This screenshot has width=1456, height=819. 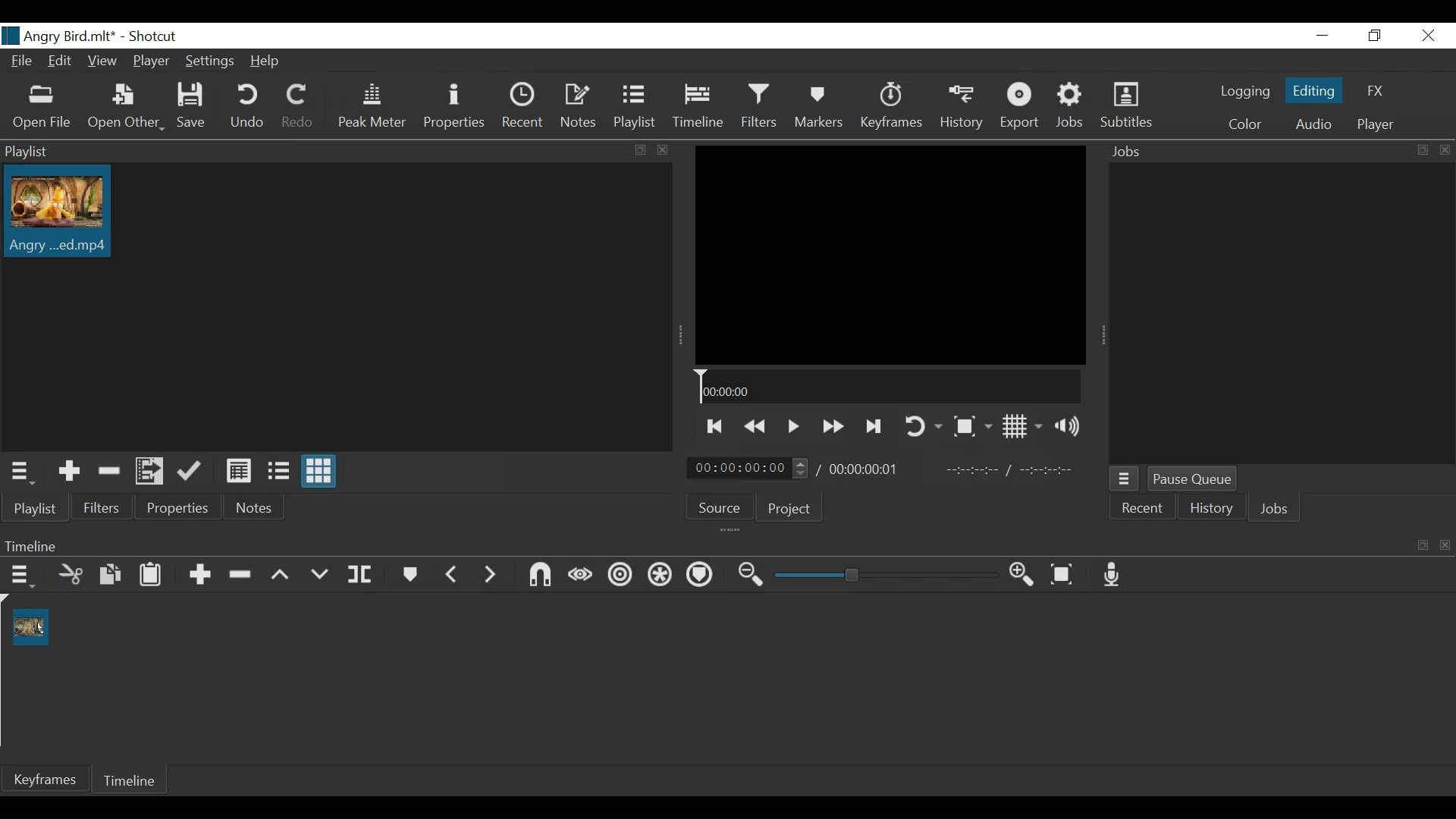 I want to click on Keyframe, so click(x=44, y=780).